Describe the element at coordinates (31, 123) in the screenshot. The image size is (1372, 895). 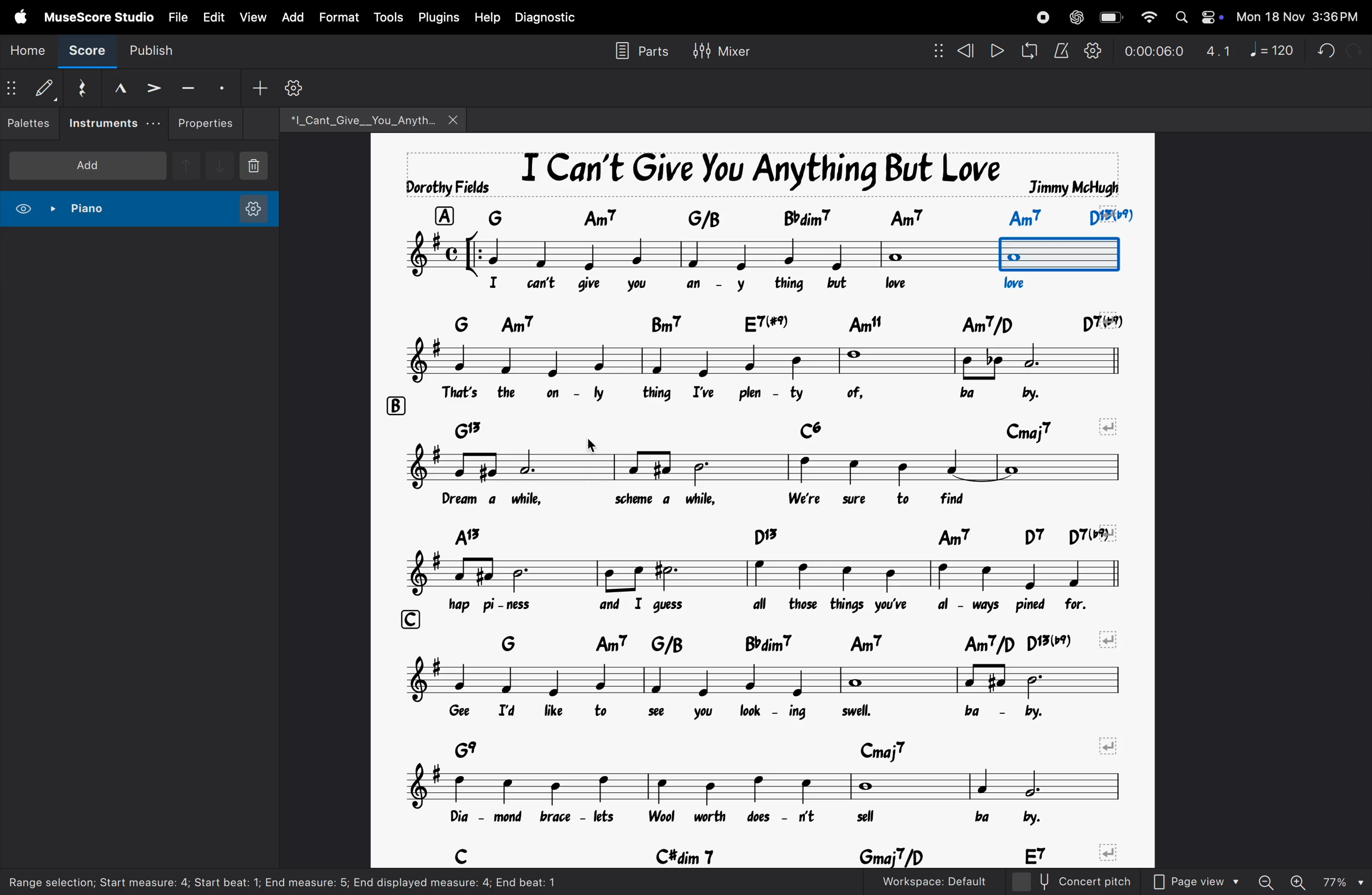
I see `palettes` at that location.